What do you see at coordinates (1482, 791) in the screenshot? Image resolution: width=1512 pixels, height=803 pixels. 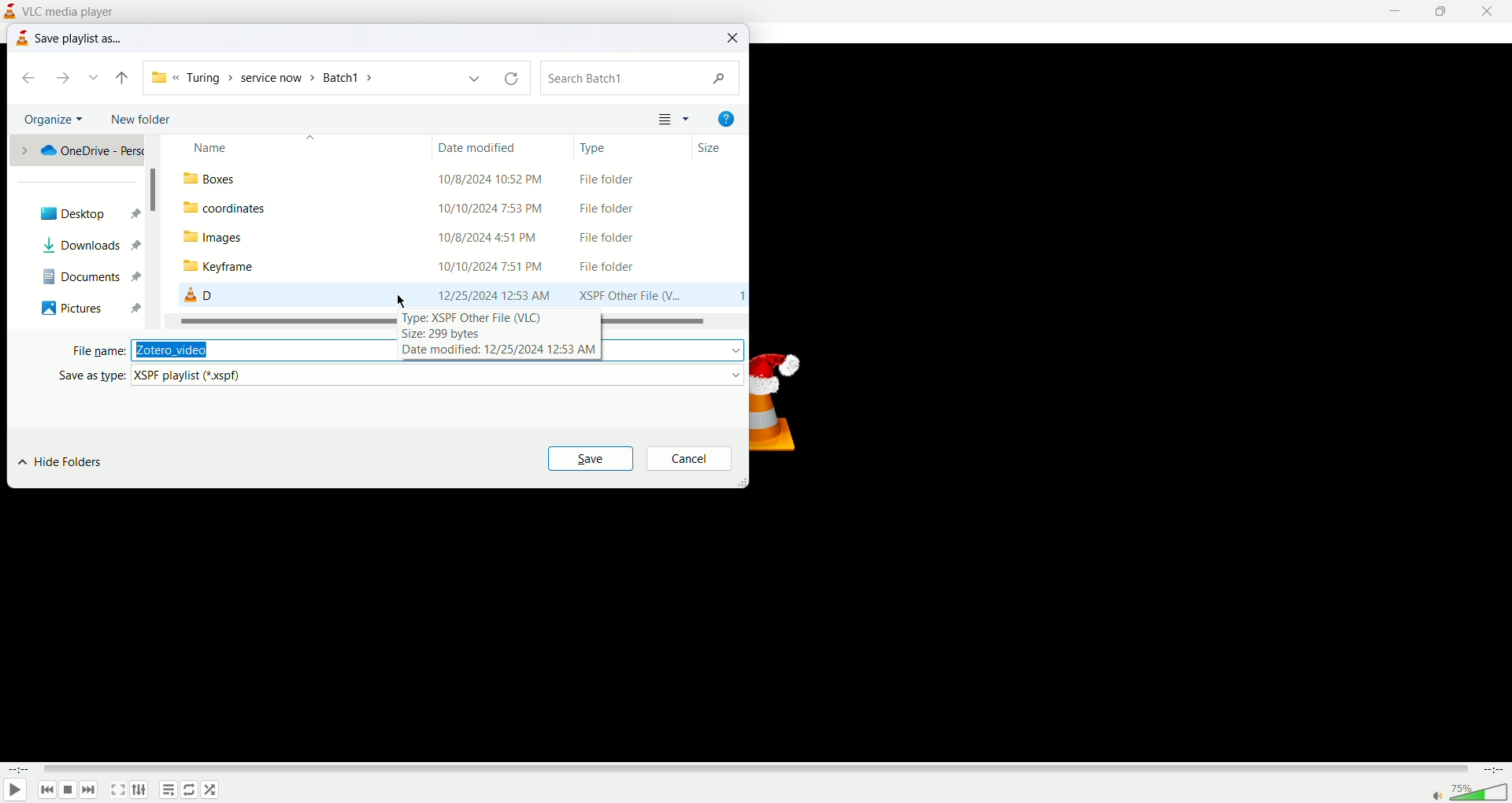 I see `volume bar` at bounding box center [1482, 791].